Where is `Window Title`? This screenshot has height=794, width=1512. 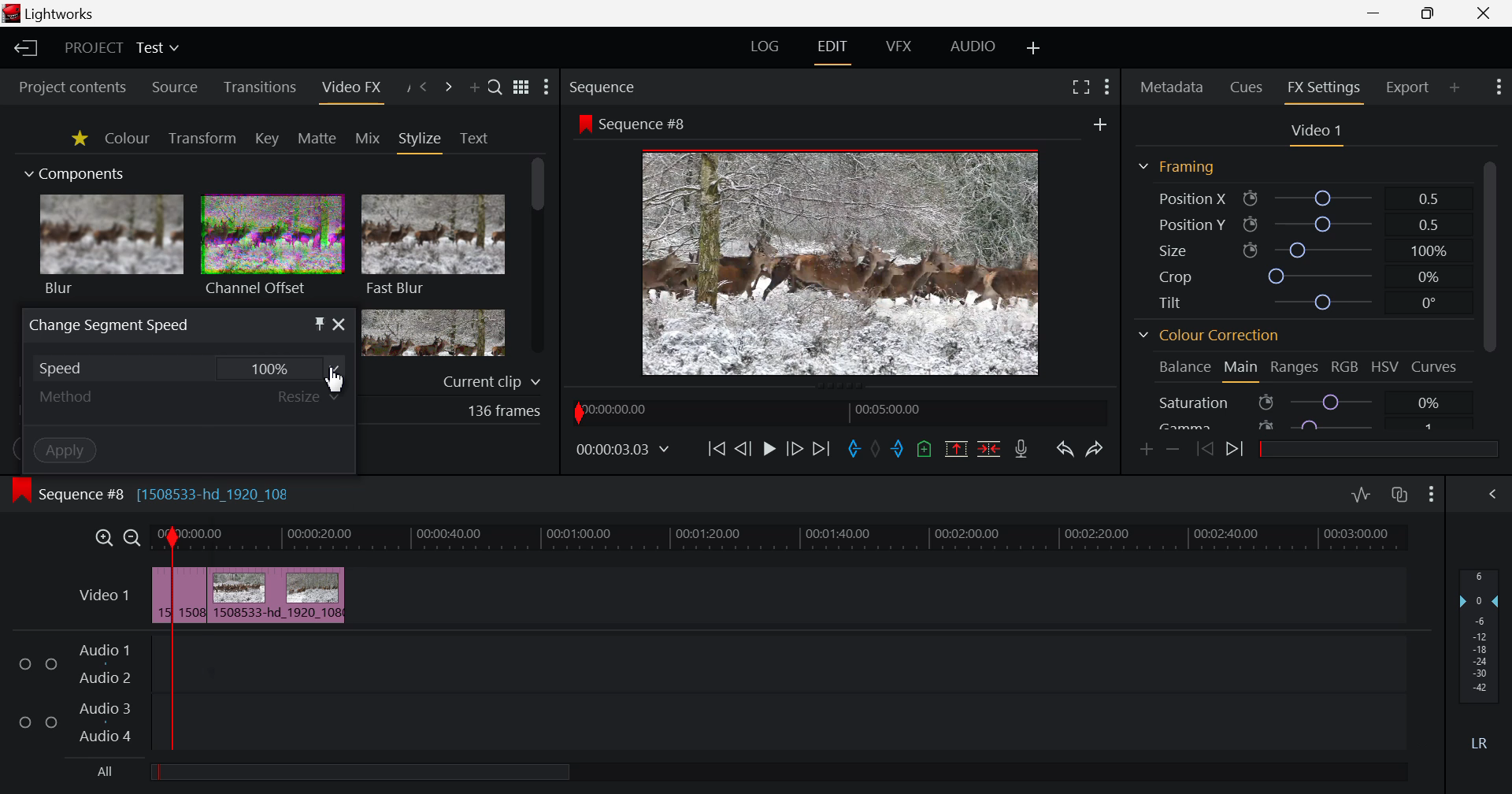
Window Title is located at coordinates (108, 325).